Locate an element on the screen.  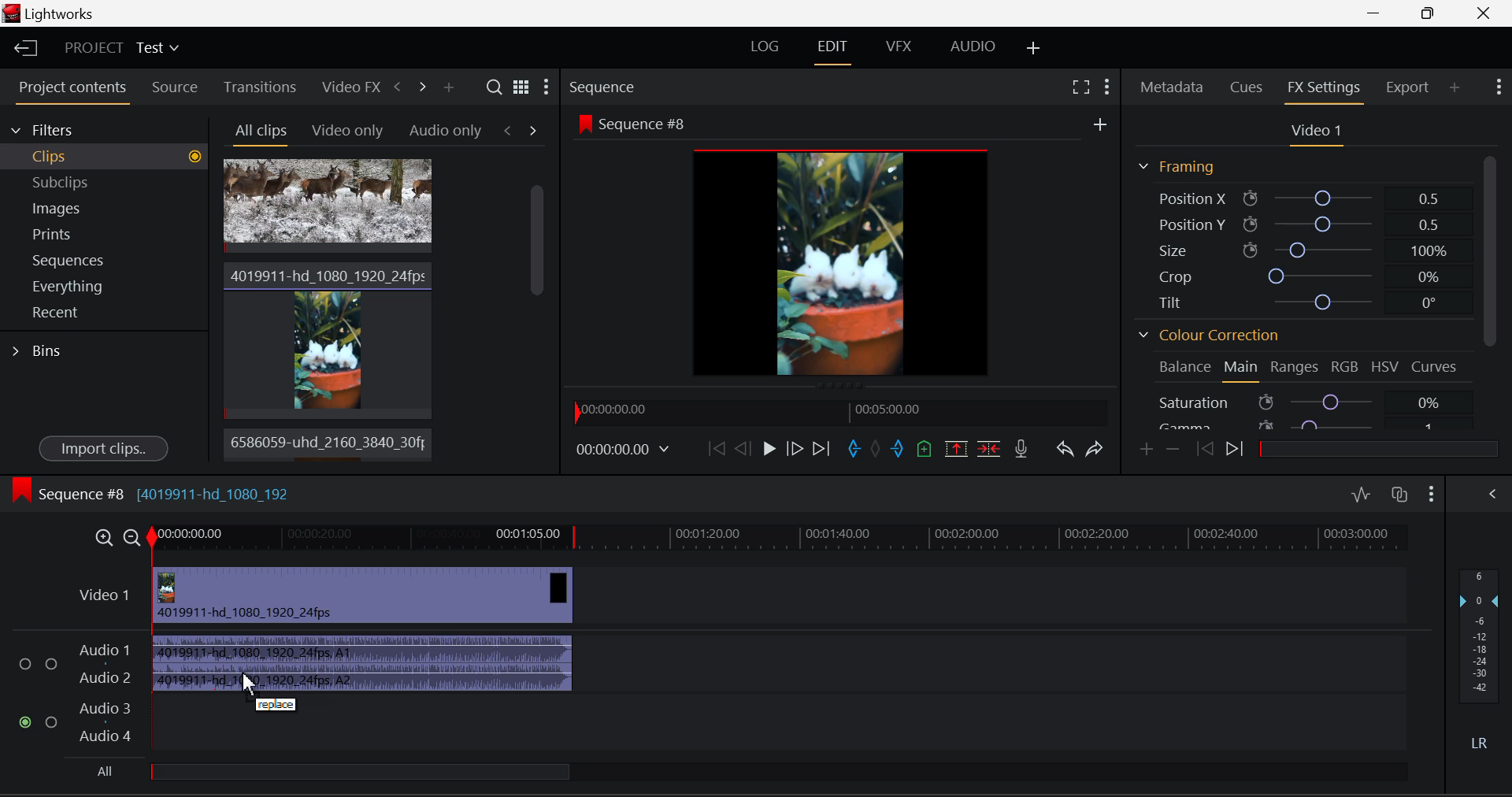
Position Y is located at coordinates (1310, 225).